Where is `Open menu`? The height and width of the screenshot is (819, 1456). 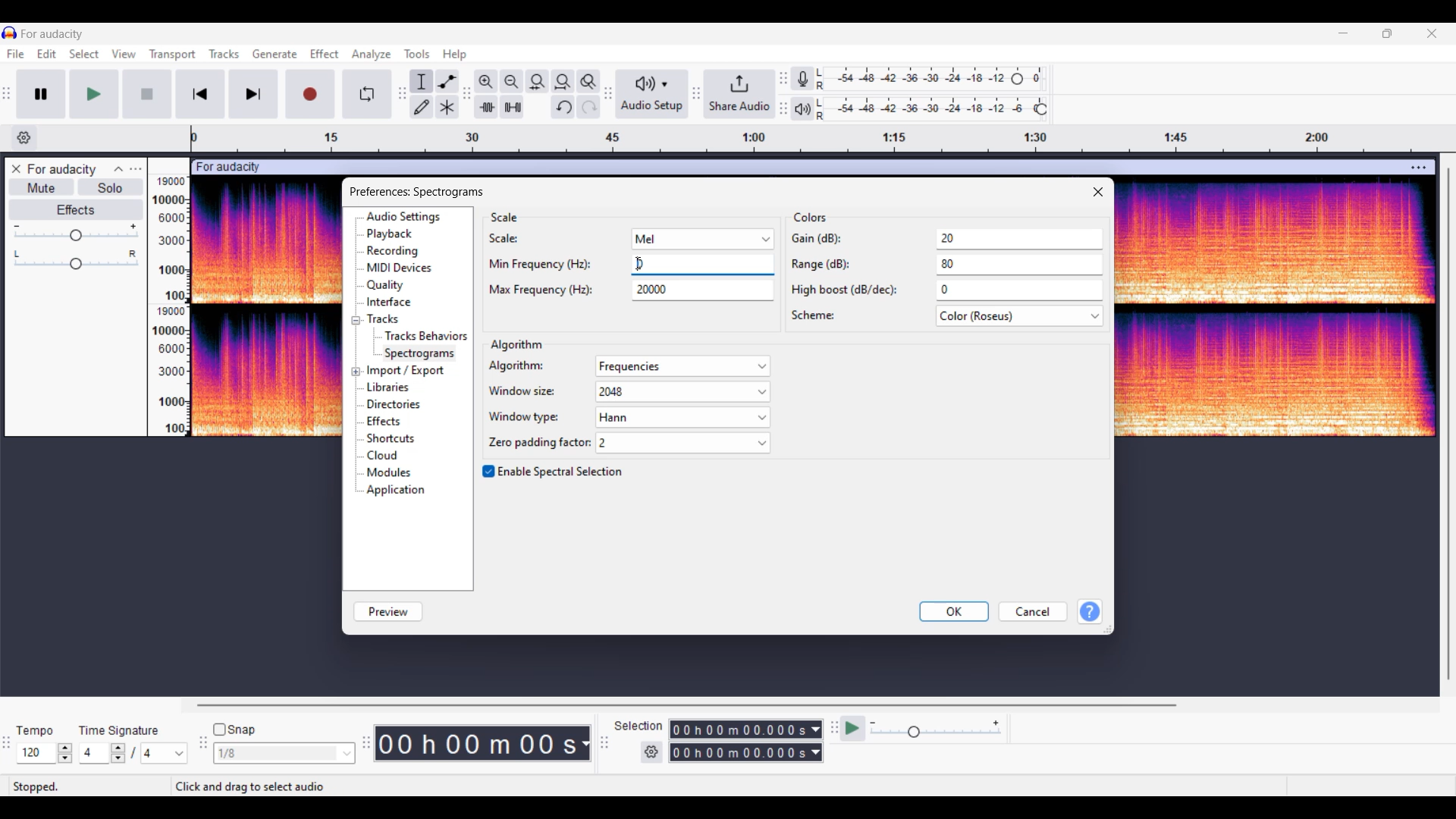
Open menu is located at coordinates (136, 169).